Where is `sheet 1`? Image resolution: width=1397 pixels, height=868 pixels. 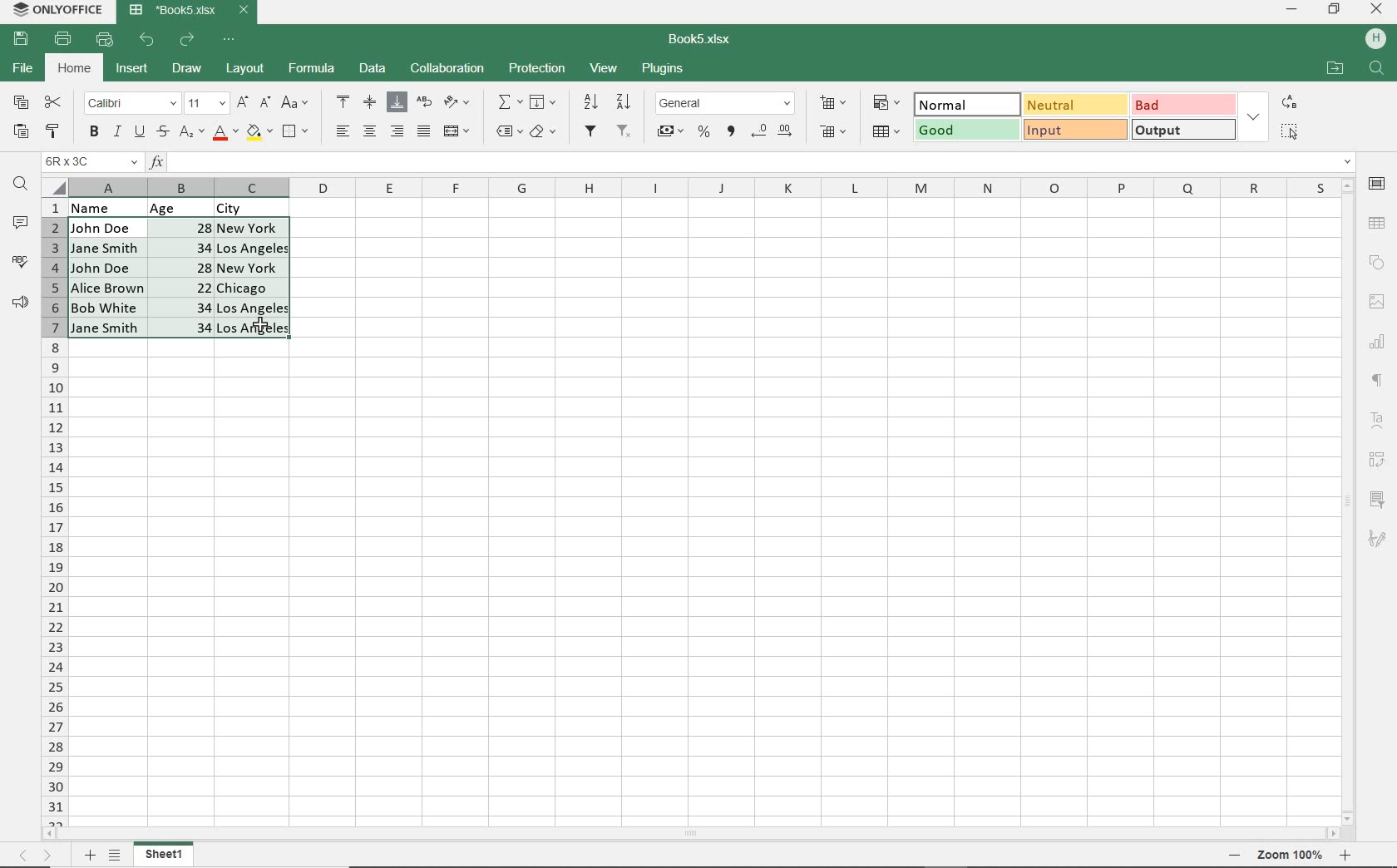
sheet 1 is located at coordinates (165, 855).